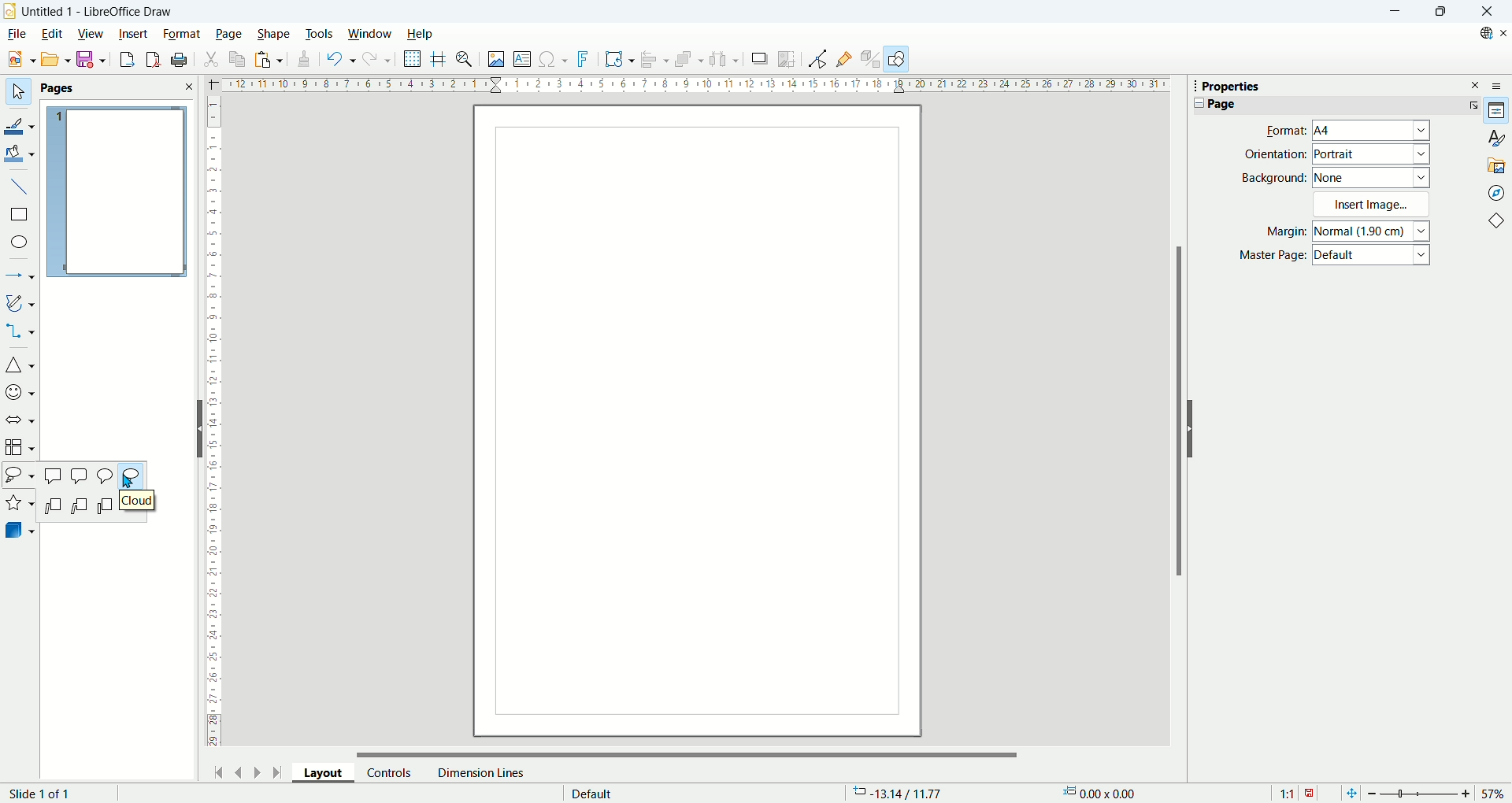 This screenshot has height=803, width=1512. Describe the element at coordinates (688, 750) in the screenshot. I see `Horizontal scroll bar` at that location.